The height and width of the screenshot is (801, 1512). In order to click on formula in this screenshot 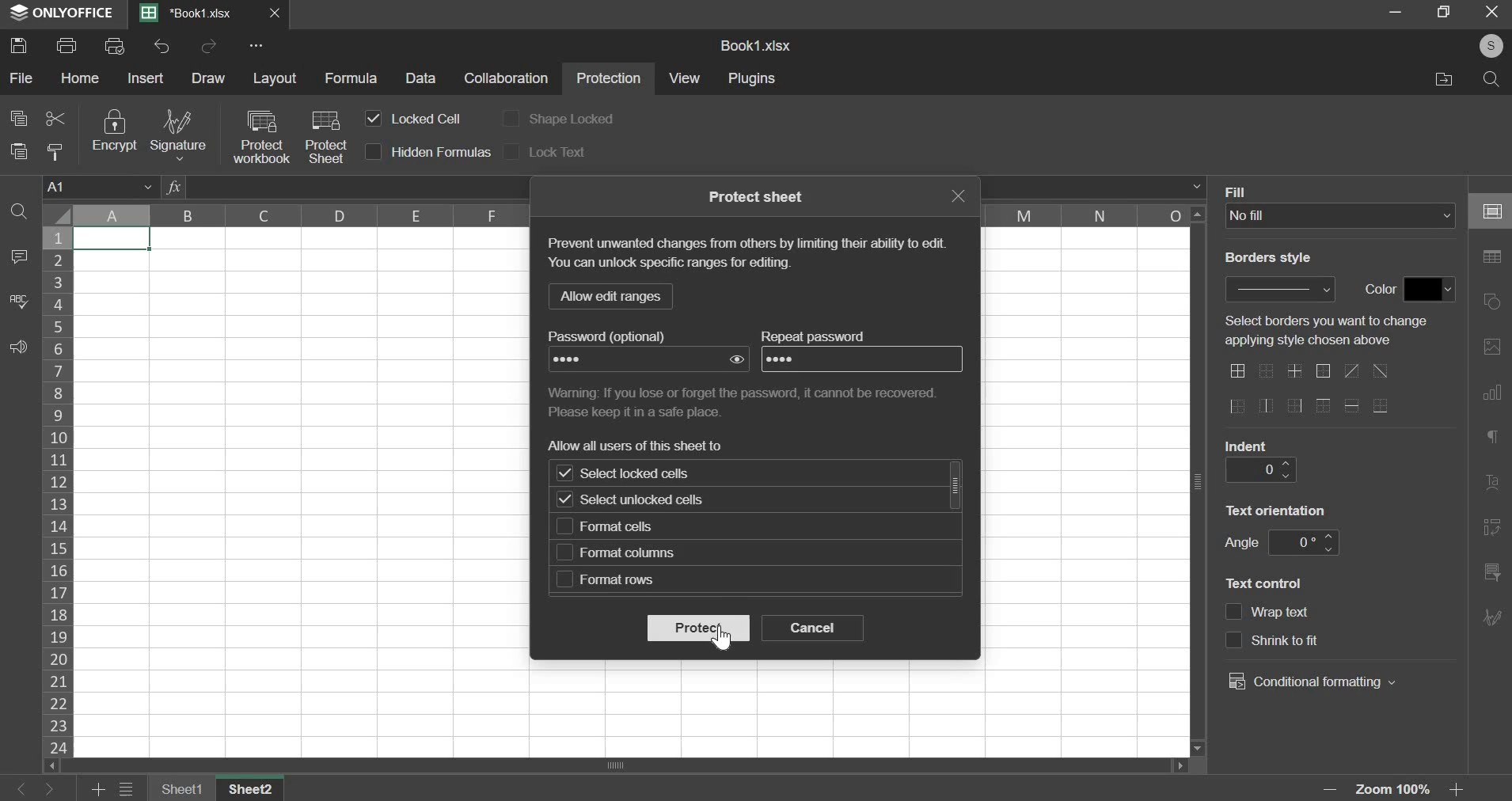, I will do `click(351, 78)`.